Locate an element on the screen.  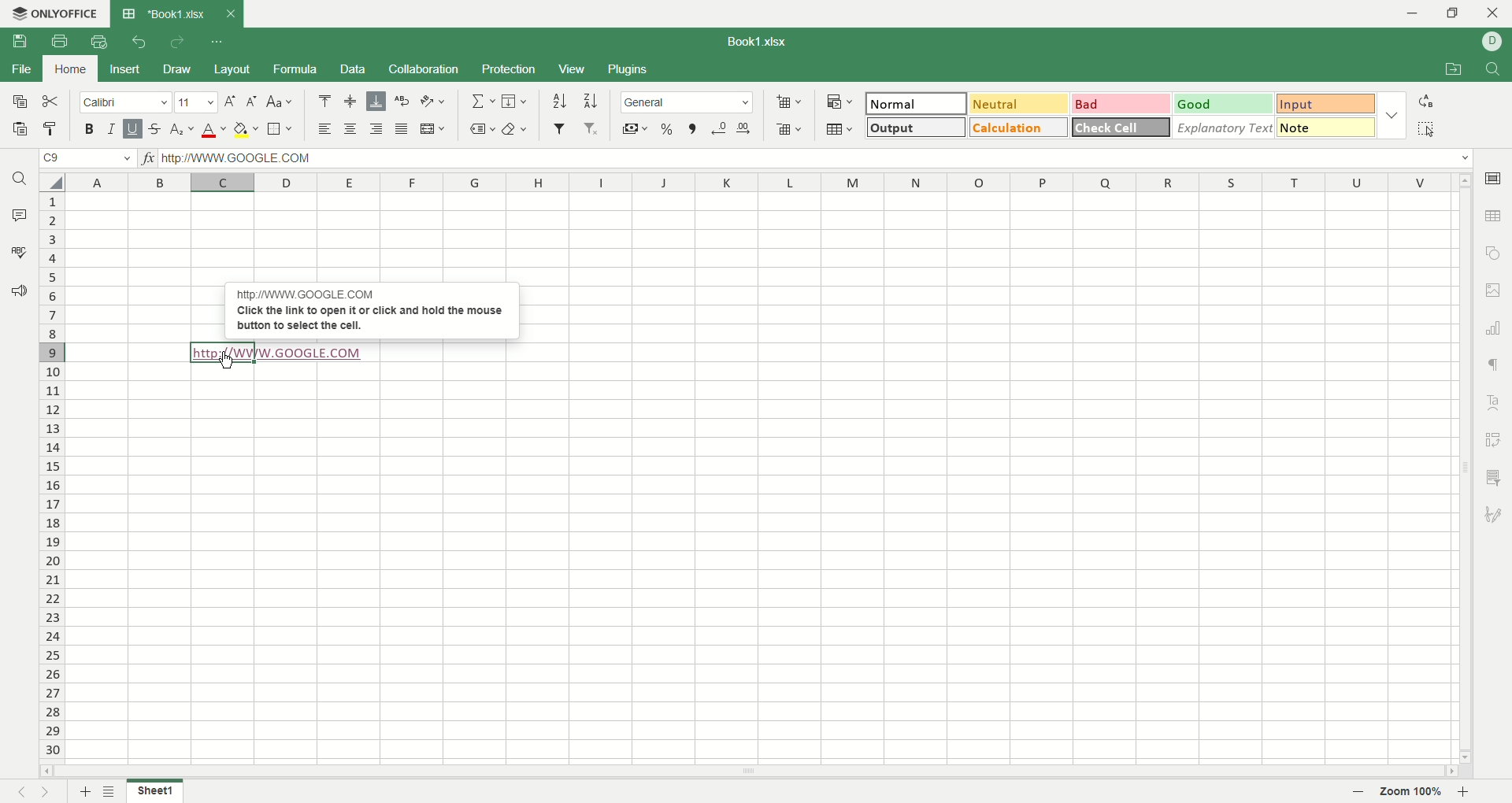
slicer settings is located at coordinates (1493, 475).